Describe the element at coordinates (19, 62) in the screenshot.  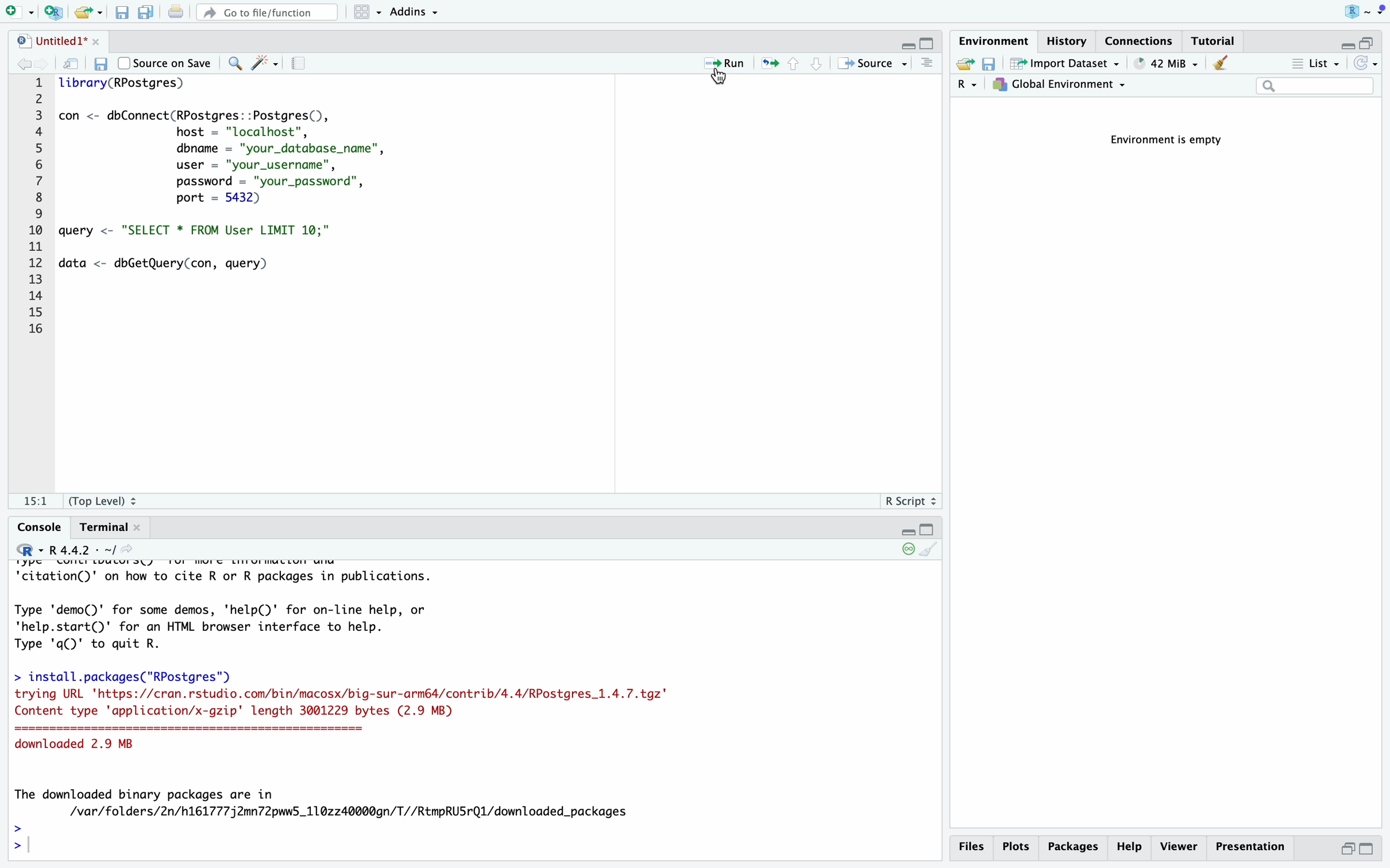
I see `go back to the previous source location` at that location.